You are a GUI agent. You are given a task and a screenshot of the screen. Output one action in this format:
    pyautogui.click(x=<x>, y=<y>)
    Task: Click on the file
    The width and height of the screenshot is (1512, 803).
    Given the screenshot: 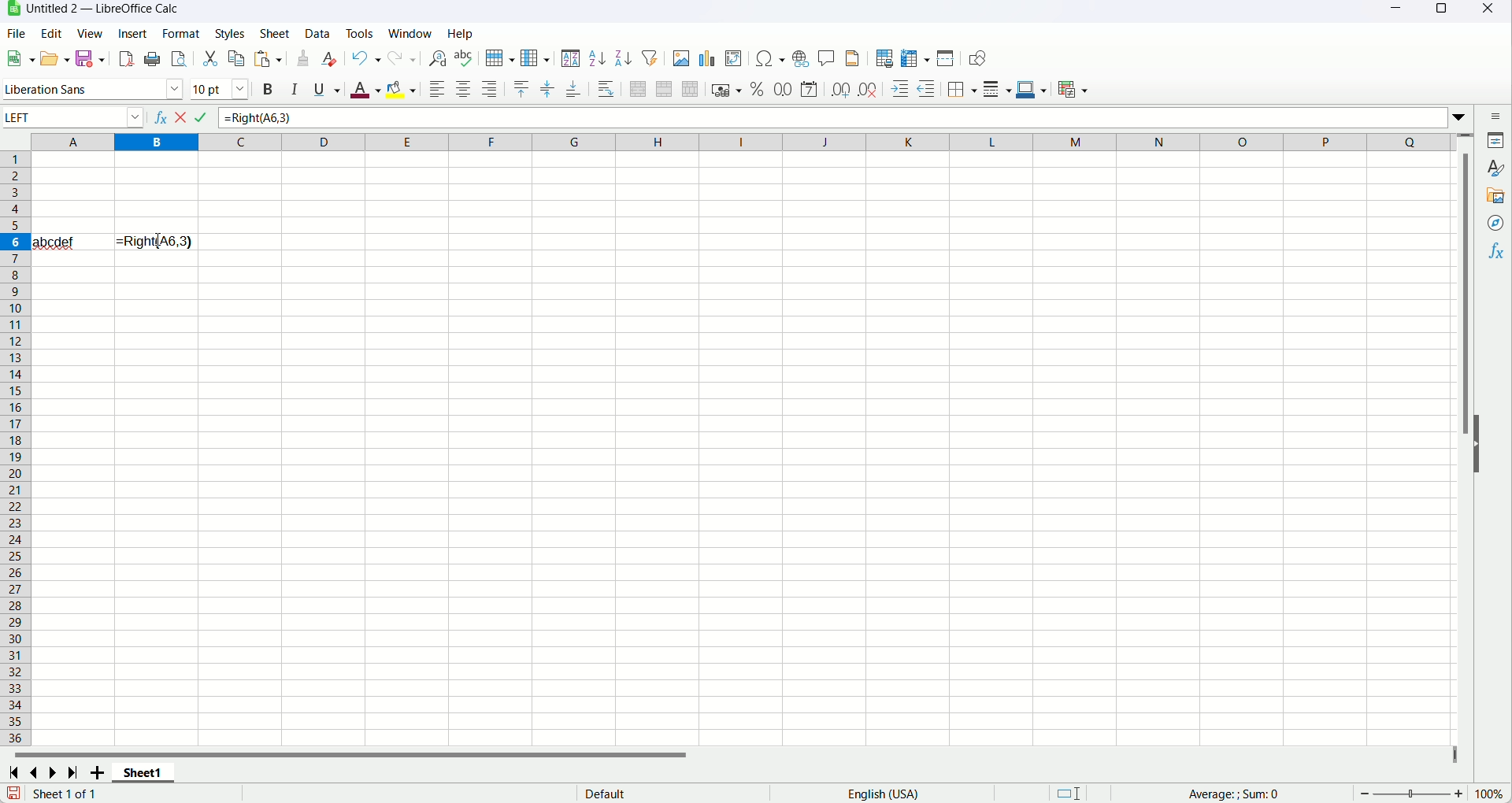 What is the action you would take?
    pyautogui.click(x=15, y=34)
    